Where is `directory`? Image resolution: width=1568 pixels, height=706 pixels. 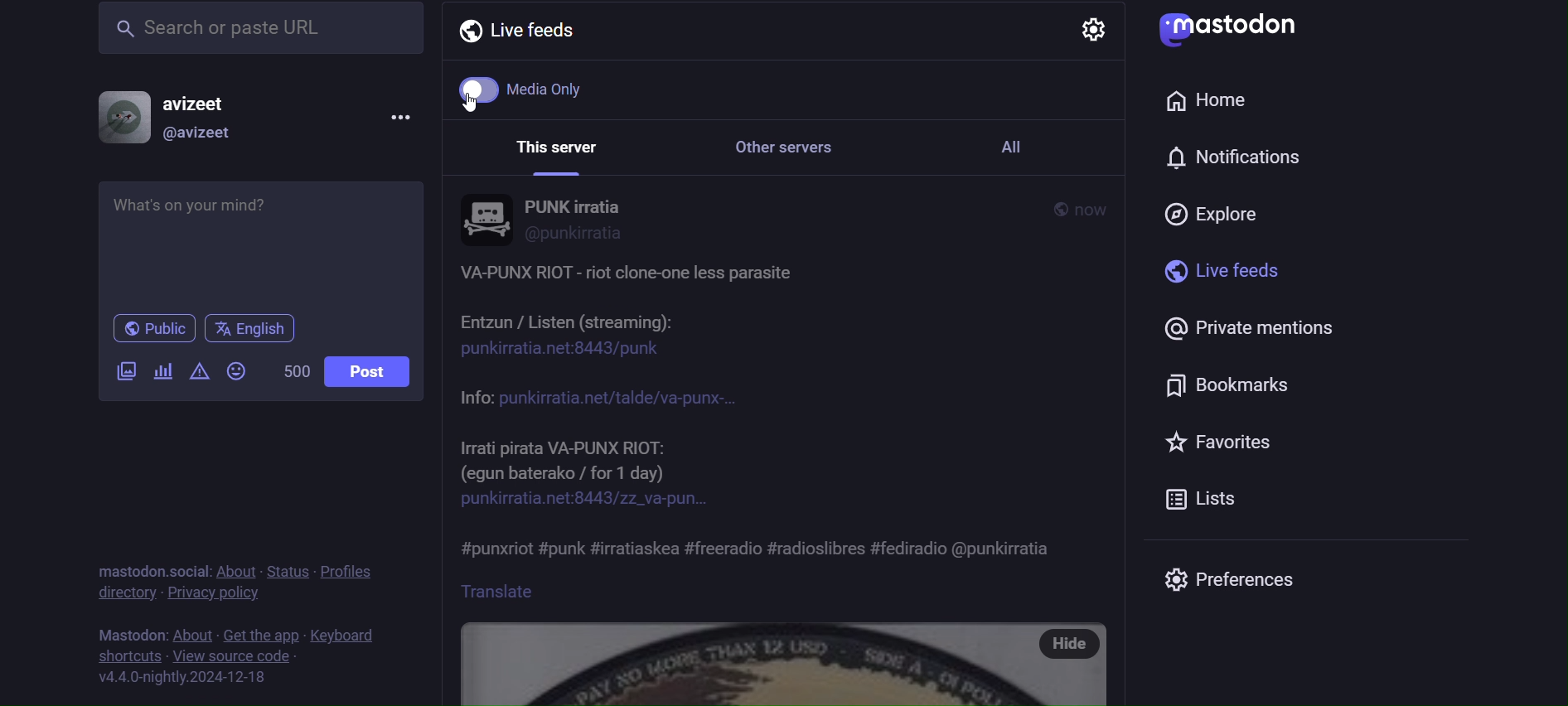 directory is located at coordinates (126, 596).